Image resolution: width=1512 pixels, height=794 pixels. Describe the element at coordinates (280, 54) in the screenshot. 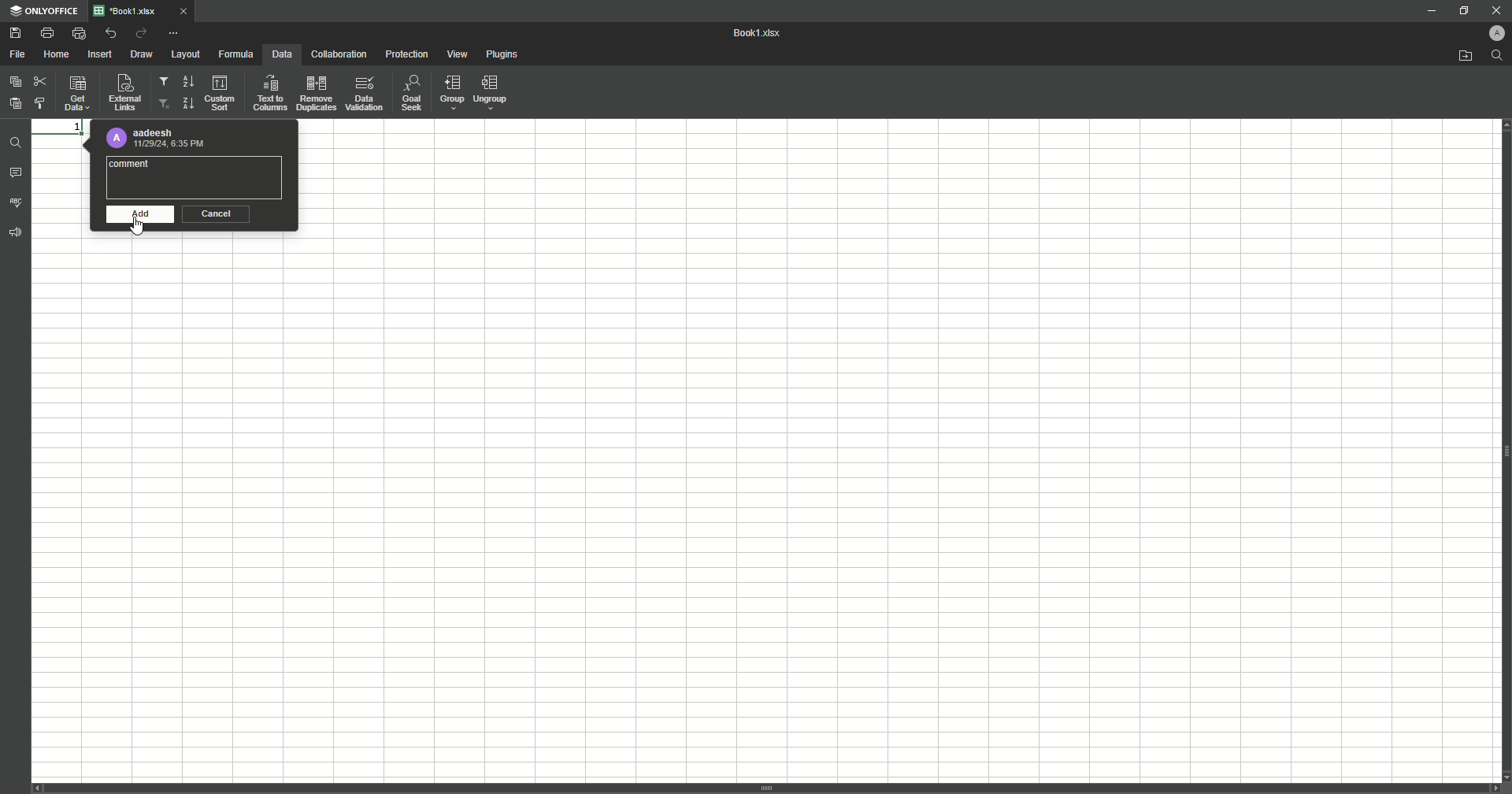

I see `Data` at that location.